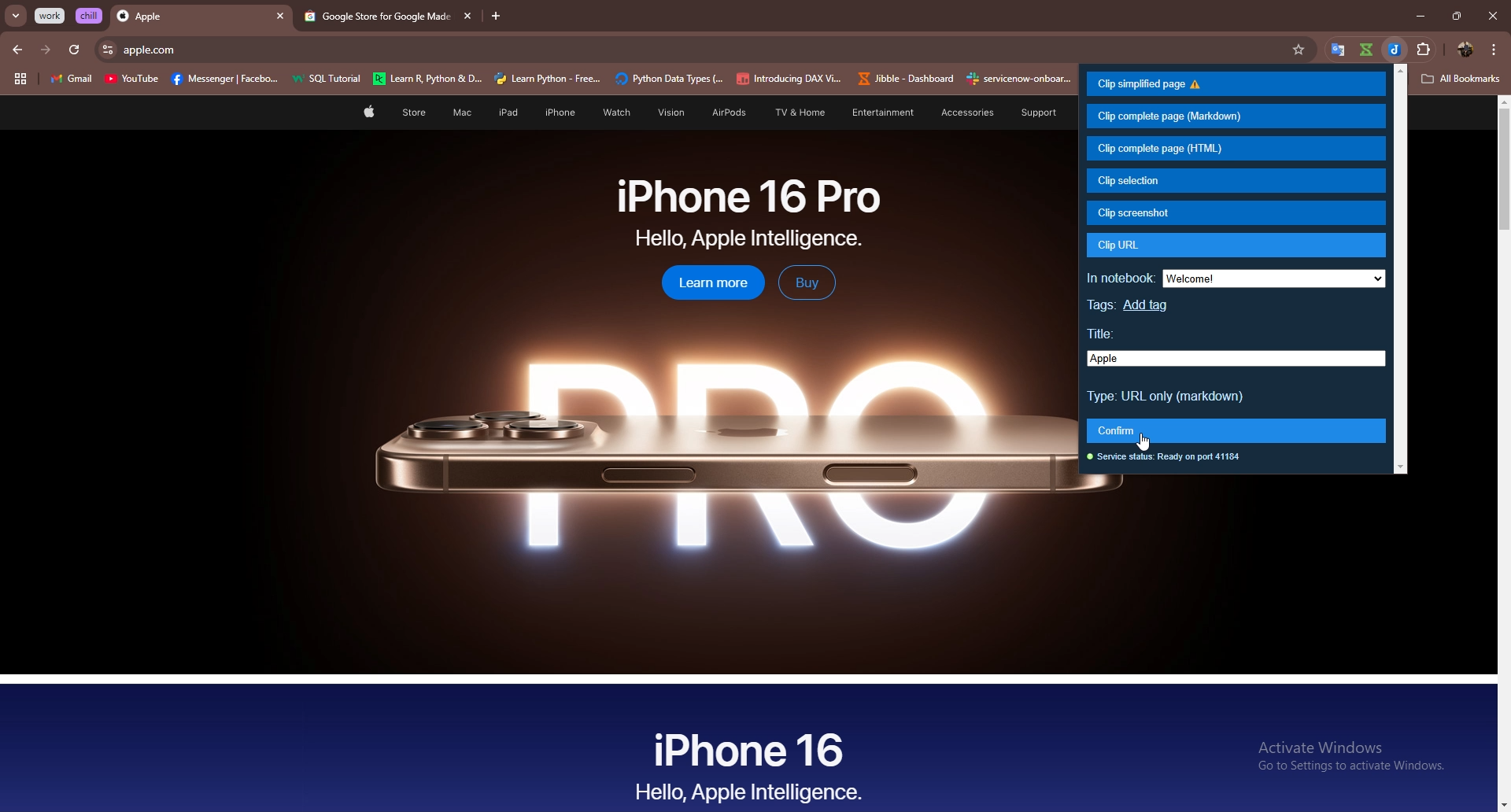 Image resolution: width=1511 pixels, height=812 pixels. I want to click on @ Google Store for Google Mad, so click(374, 17).